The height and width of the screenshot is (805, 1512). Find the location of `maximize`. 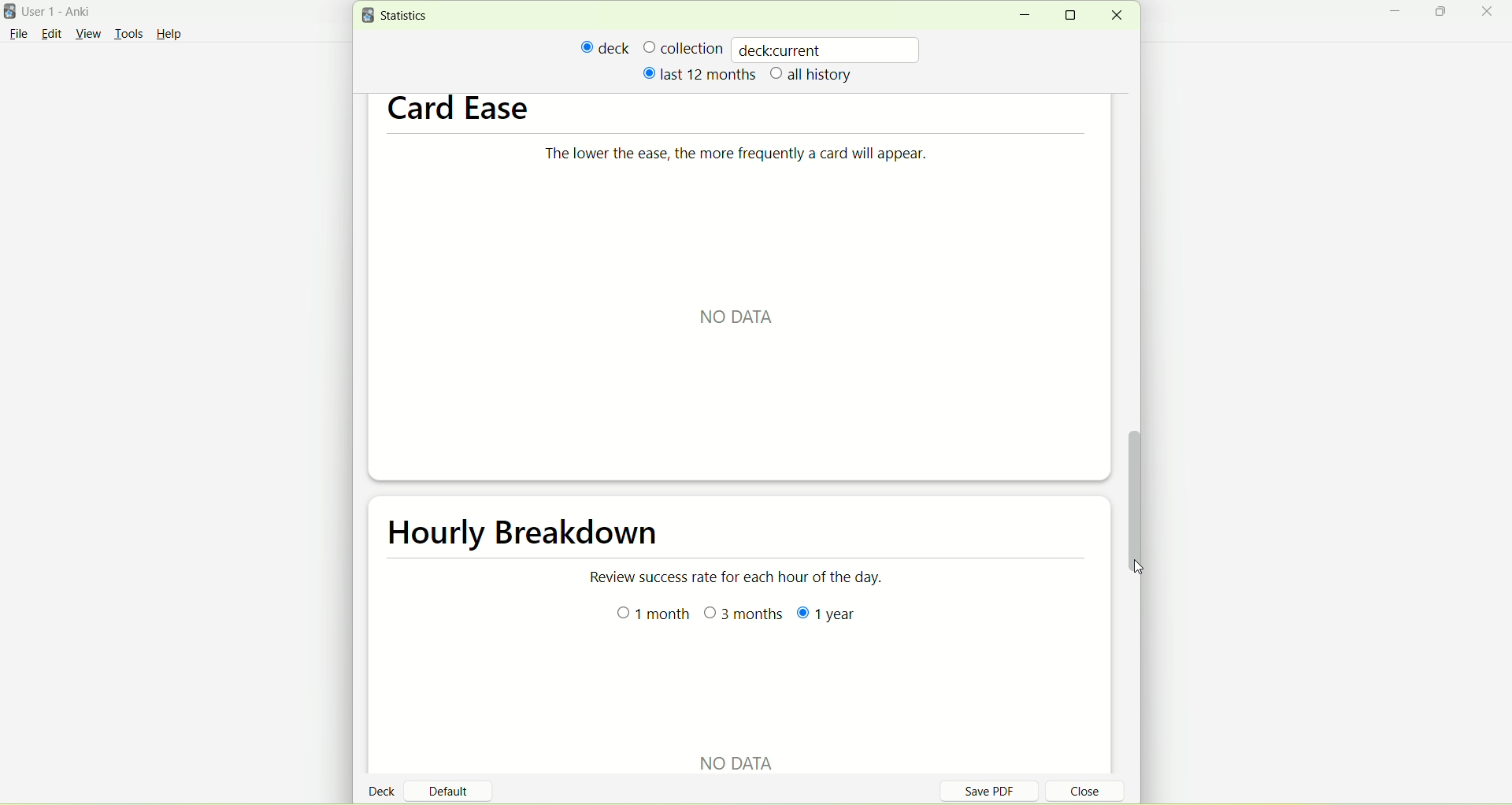

maximize is located at coordinates (1443, 14).